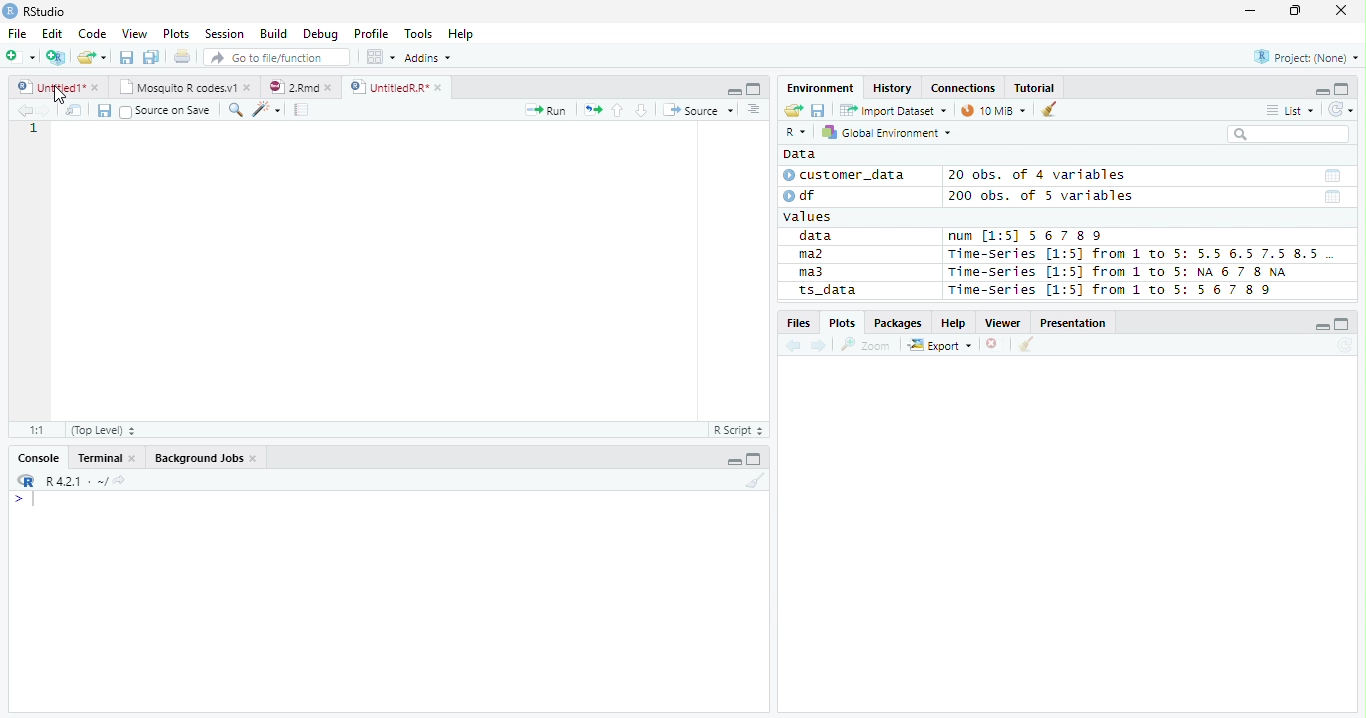 The width and height of the screenshot is (1366, 718). I want to click on Profile, so click(370, 34).